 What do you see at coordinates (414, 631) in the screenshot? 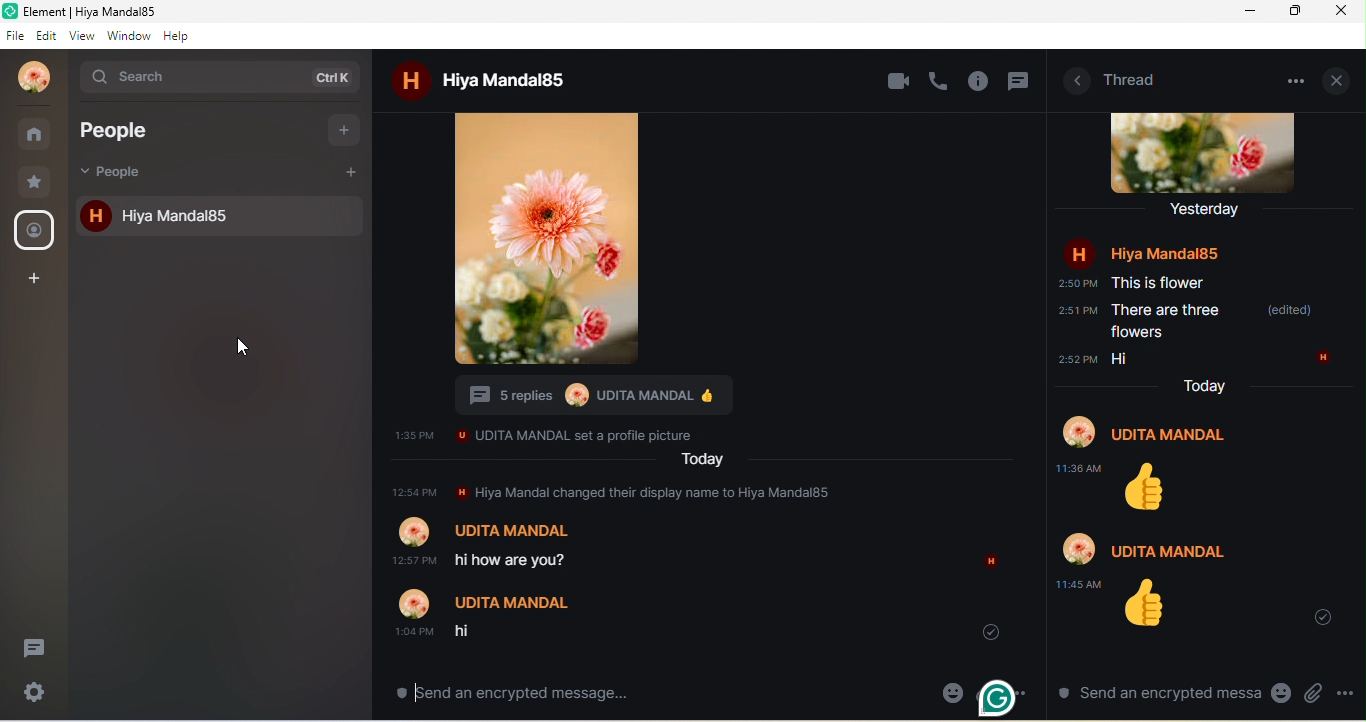
I see `1:04 PM` at bounding box center [414, 631].